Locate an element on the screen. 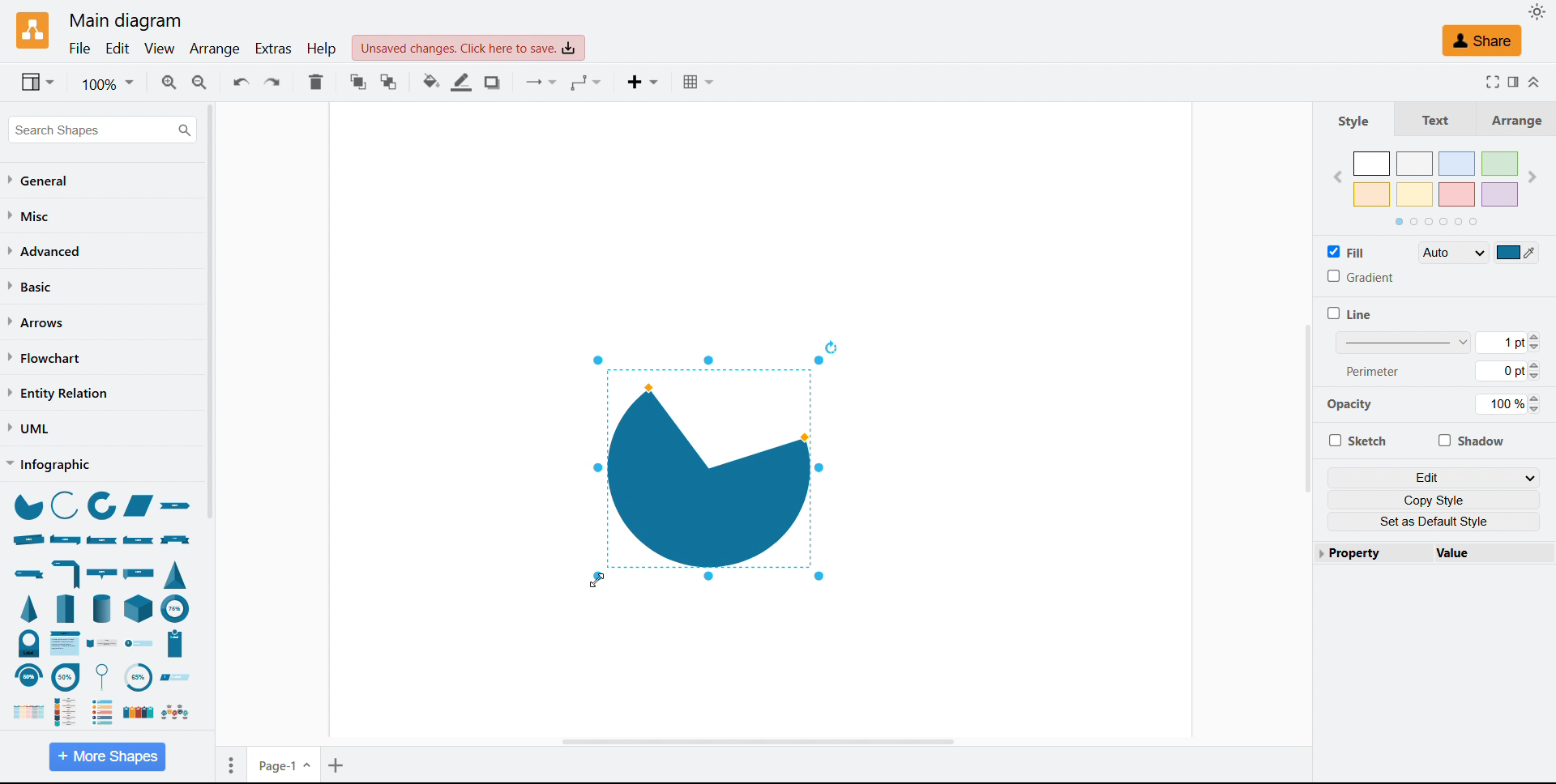 This screenshot has height=784, width=1556. fill colour  is located at coordinates (1517, 252).